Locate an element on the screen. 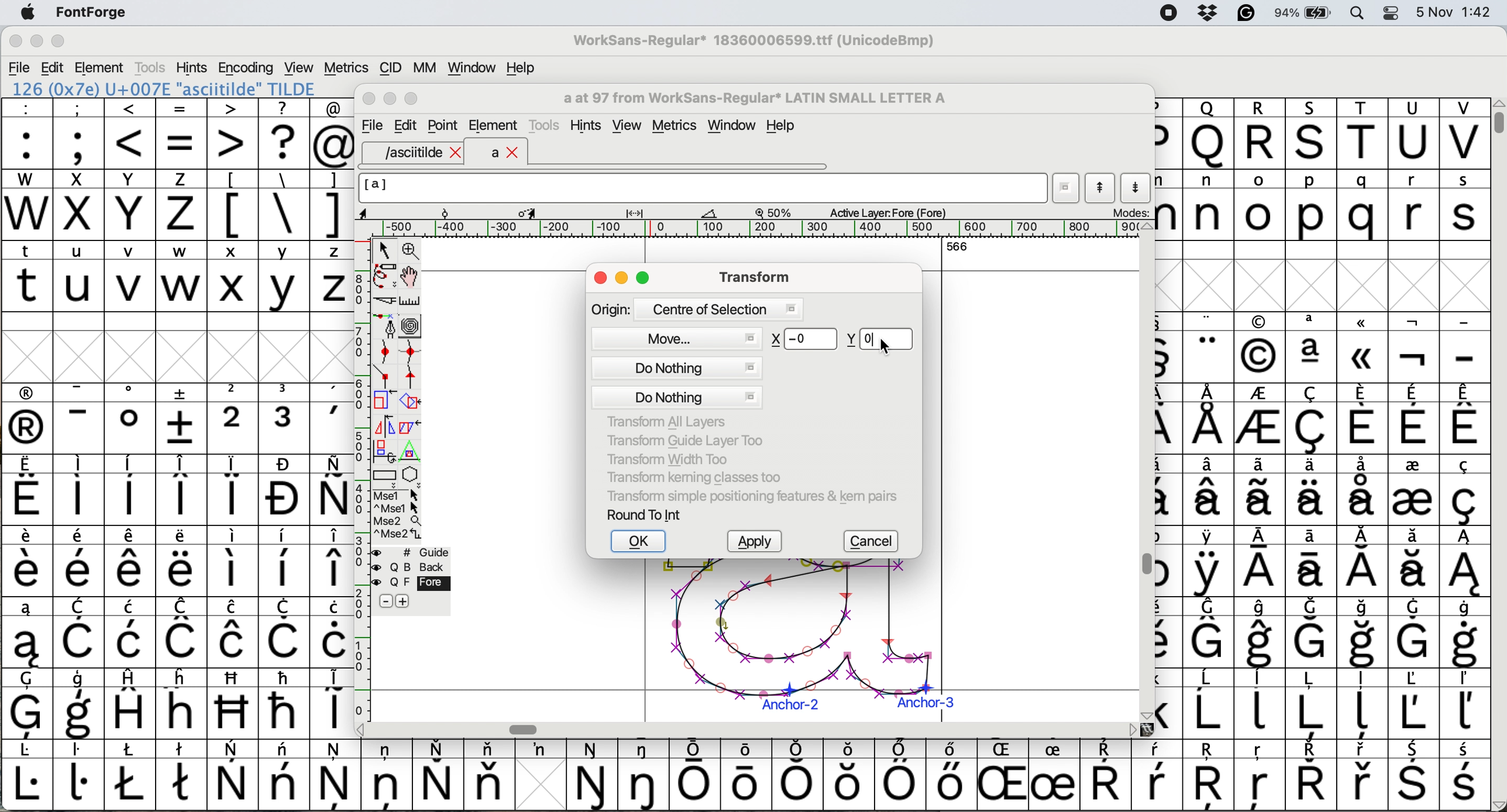 This screenshot has height=812, width=1507. flip selection is located at coordinates (384, 425).